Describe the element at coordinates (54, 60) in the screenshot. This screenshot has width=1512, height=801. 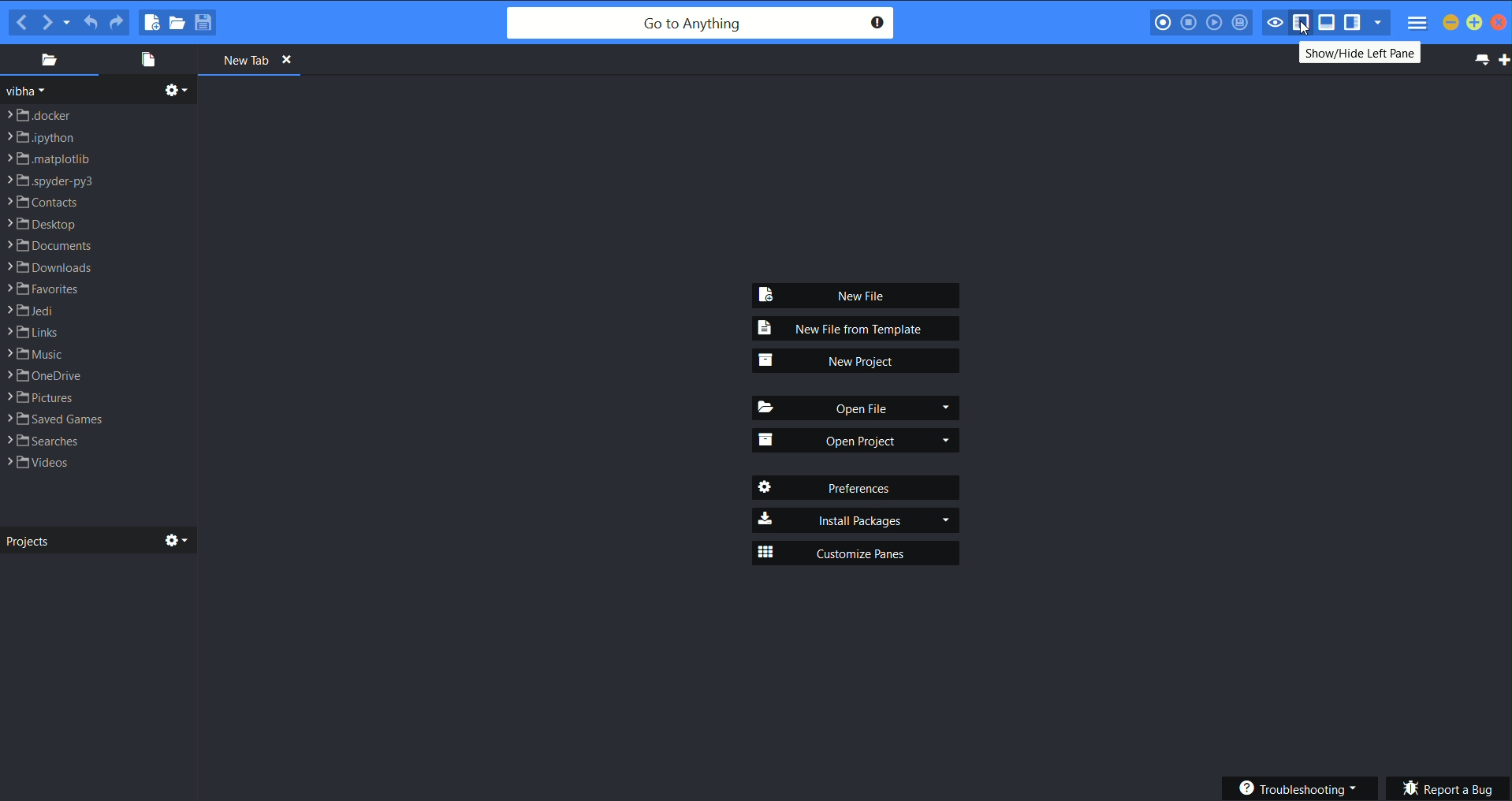
I see `file explorer` at that location.